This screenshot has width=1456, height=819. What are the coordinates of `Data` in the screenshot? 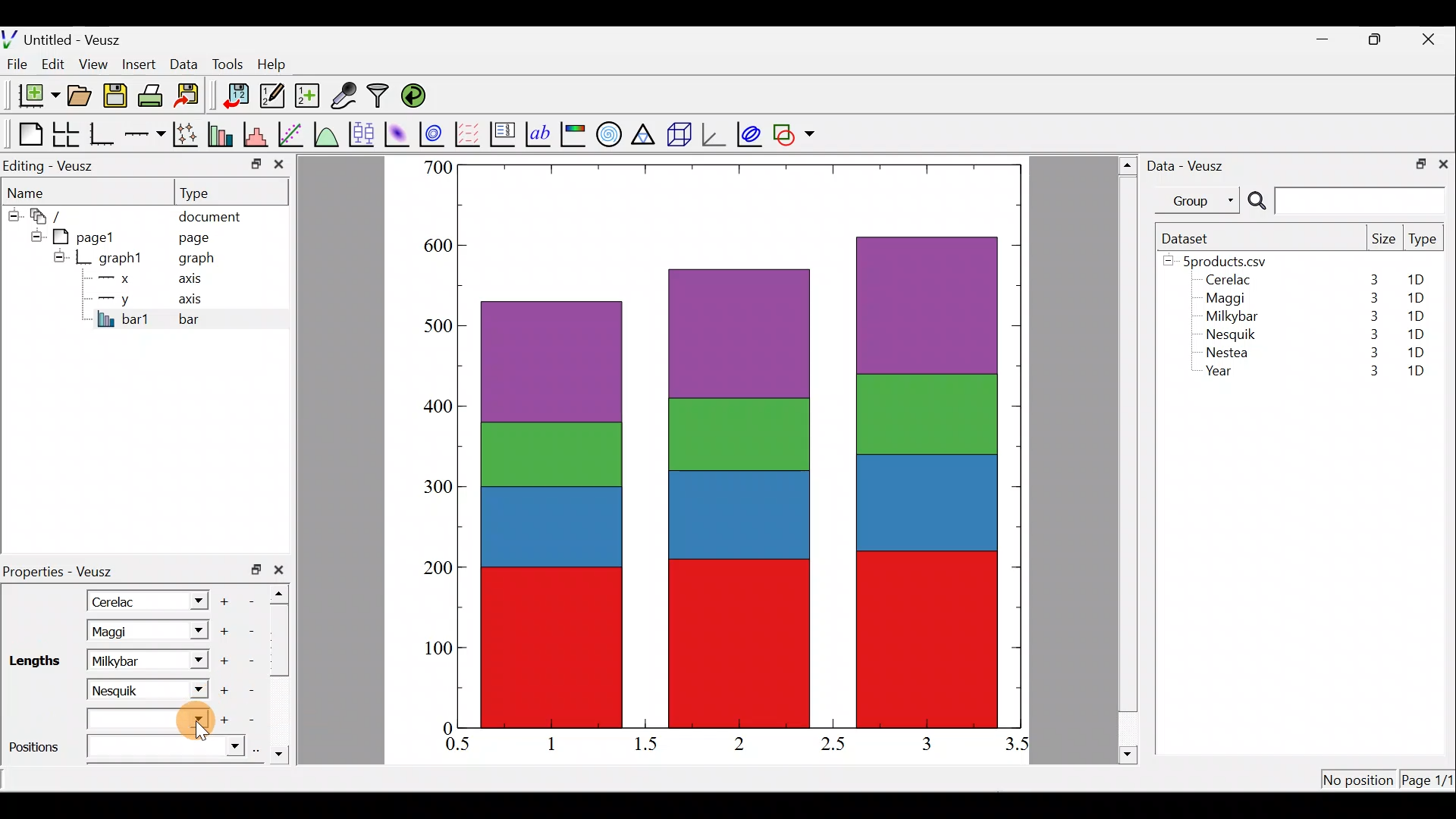 It's located at (184, 63).